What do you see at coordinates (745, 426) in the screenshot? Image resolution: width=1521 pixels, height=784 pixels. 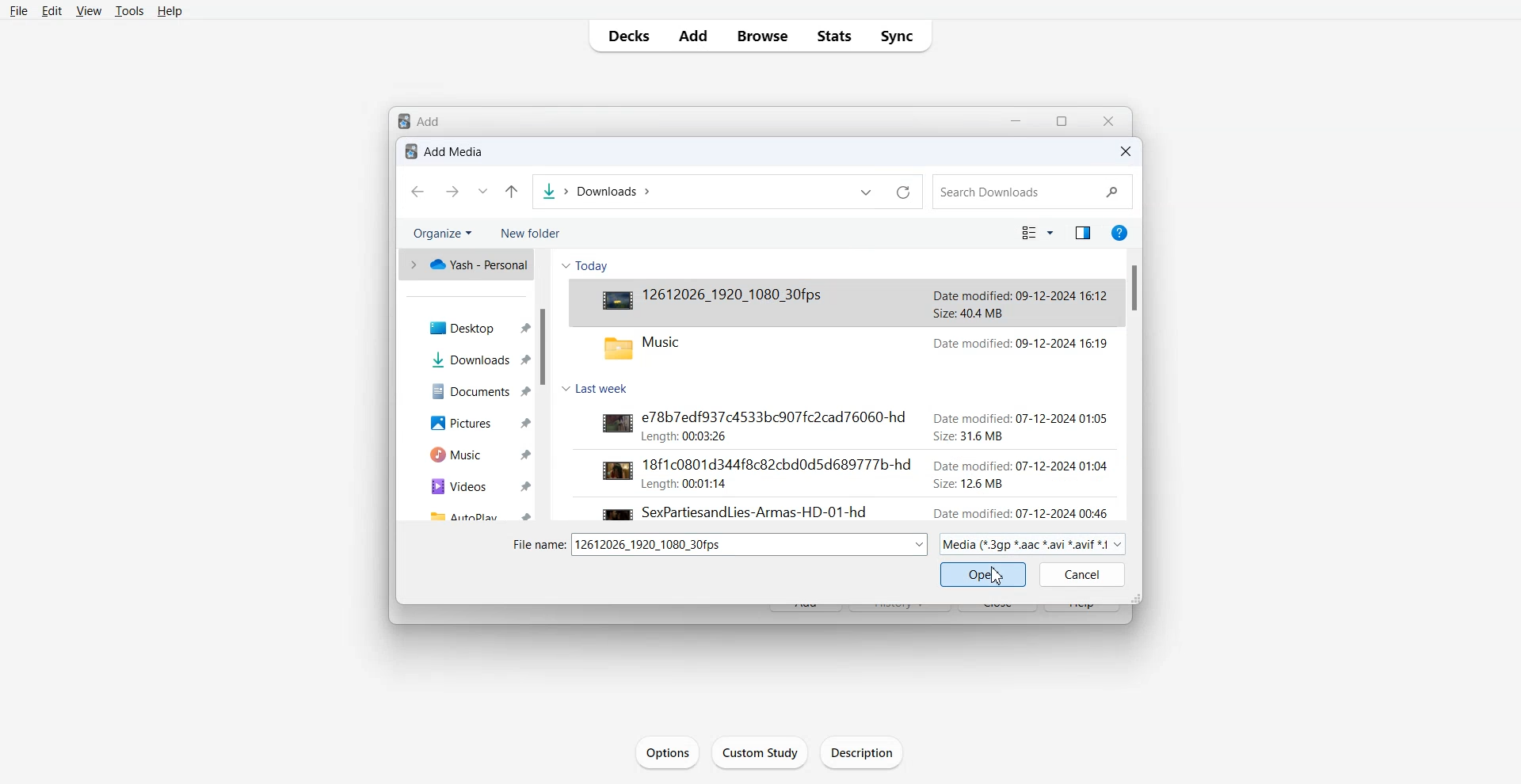 I see `video file` at bounding box center [745, 426].